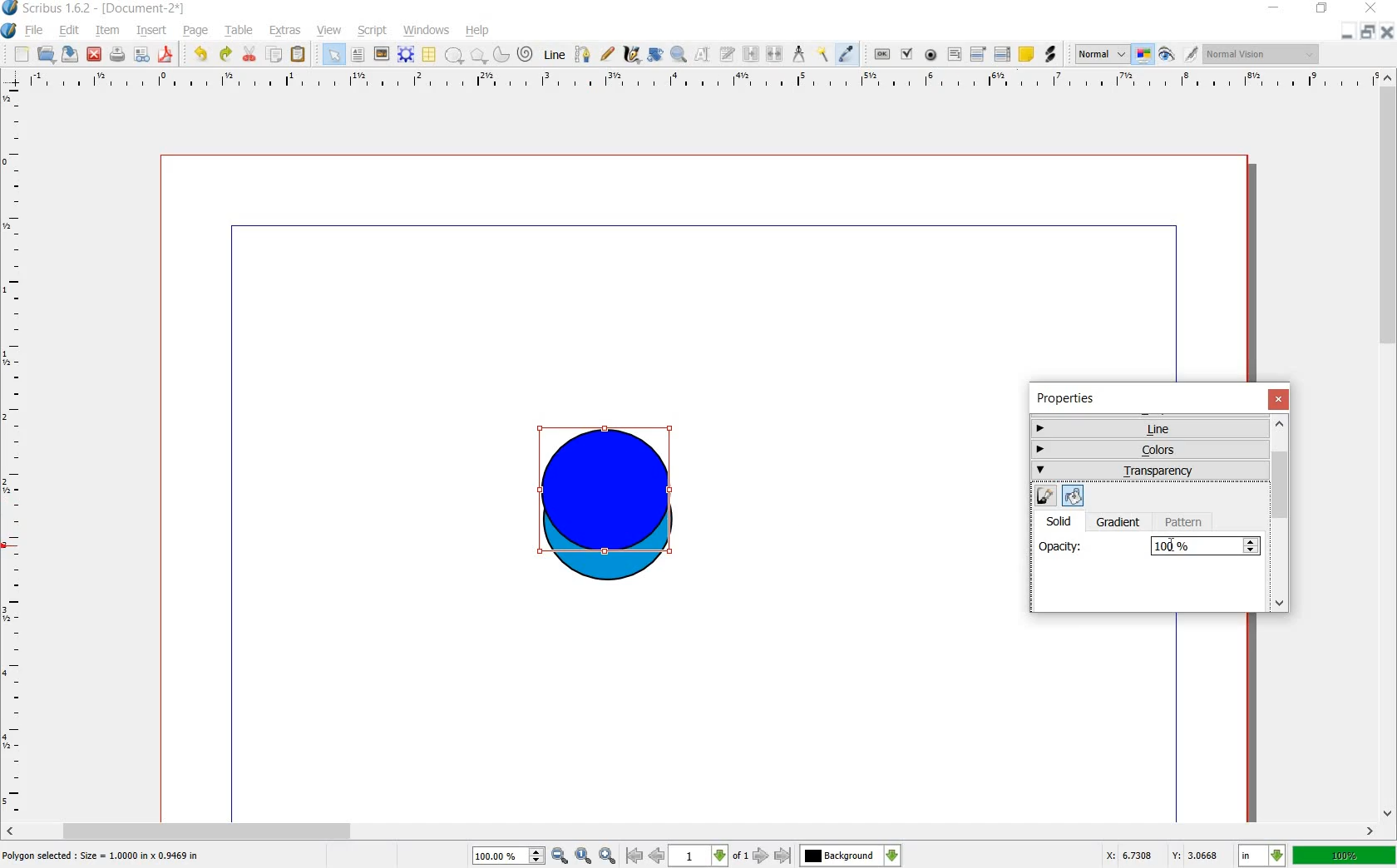  I want to click on 100%, so click(1345, 857).